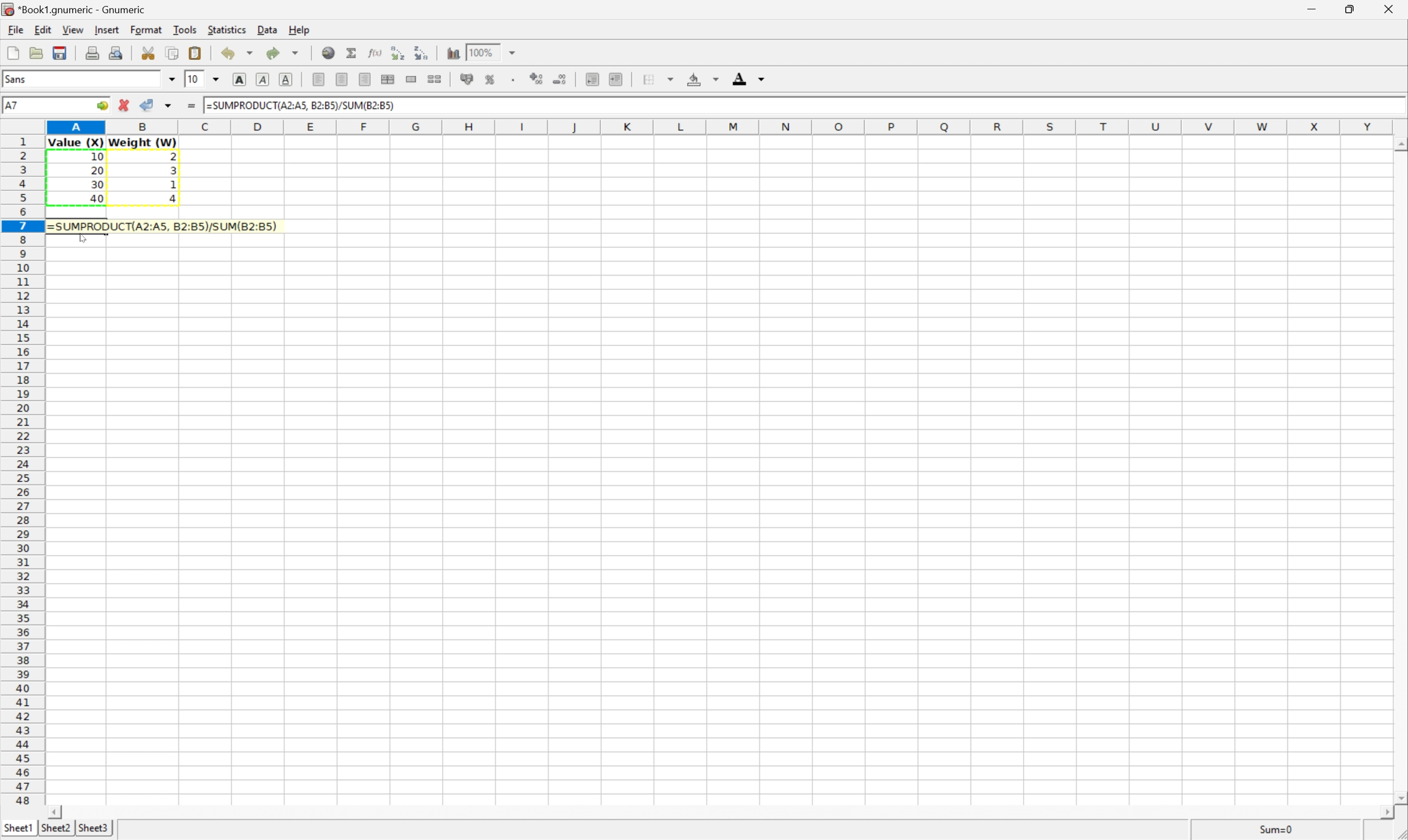 The image size is (1408, 840). I want to click on Cut selection, so click(147, 53).